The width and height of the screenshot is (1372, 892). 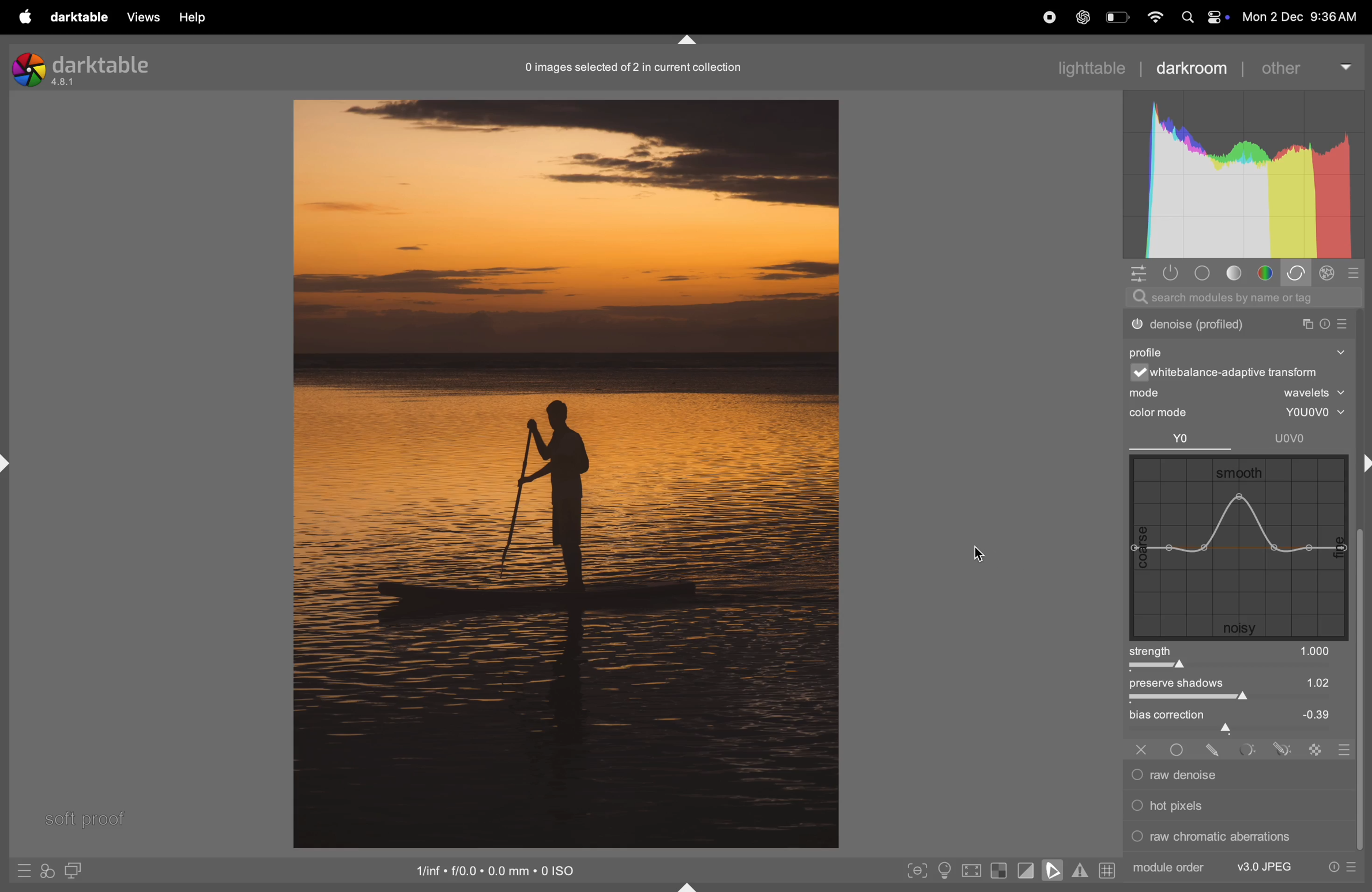 What do you see at coordinates (1238, 322) in the screenshot?
I see `dither or posterize` at bounding box center [1238, 322].